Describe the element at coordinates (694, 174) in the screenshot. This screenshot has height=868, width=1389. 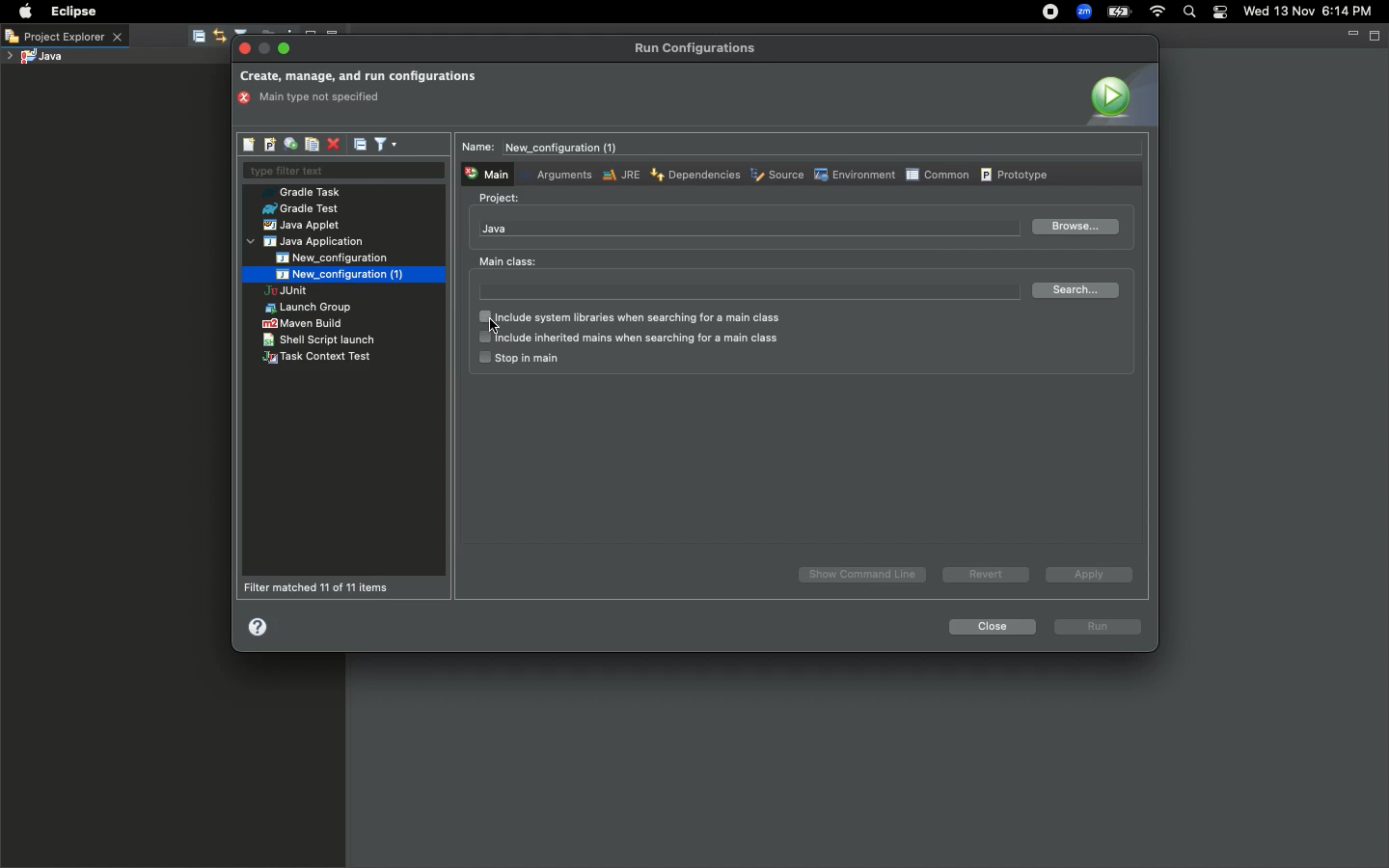
I see `Dependencies` at that location.